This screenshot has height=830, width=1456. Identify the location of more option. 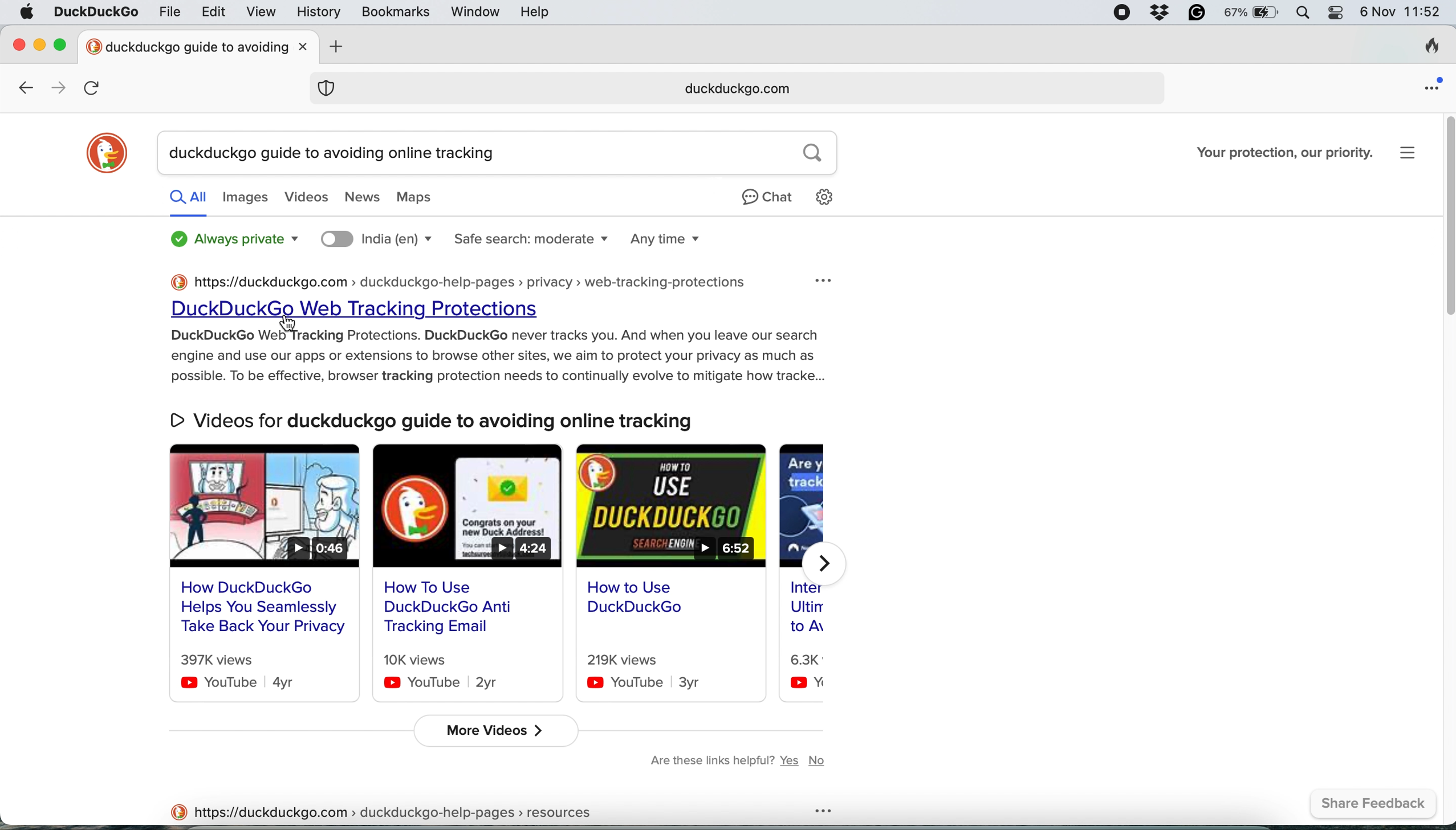
(829, 810).